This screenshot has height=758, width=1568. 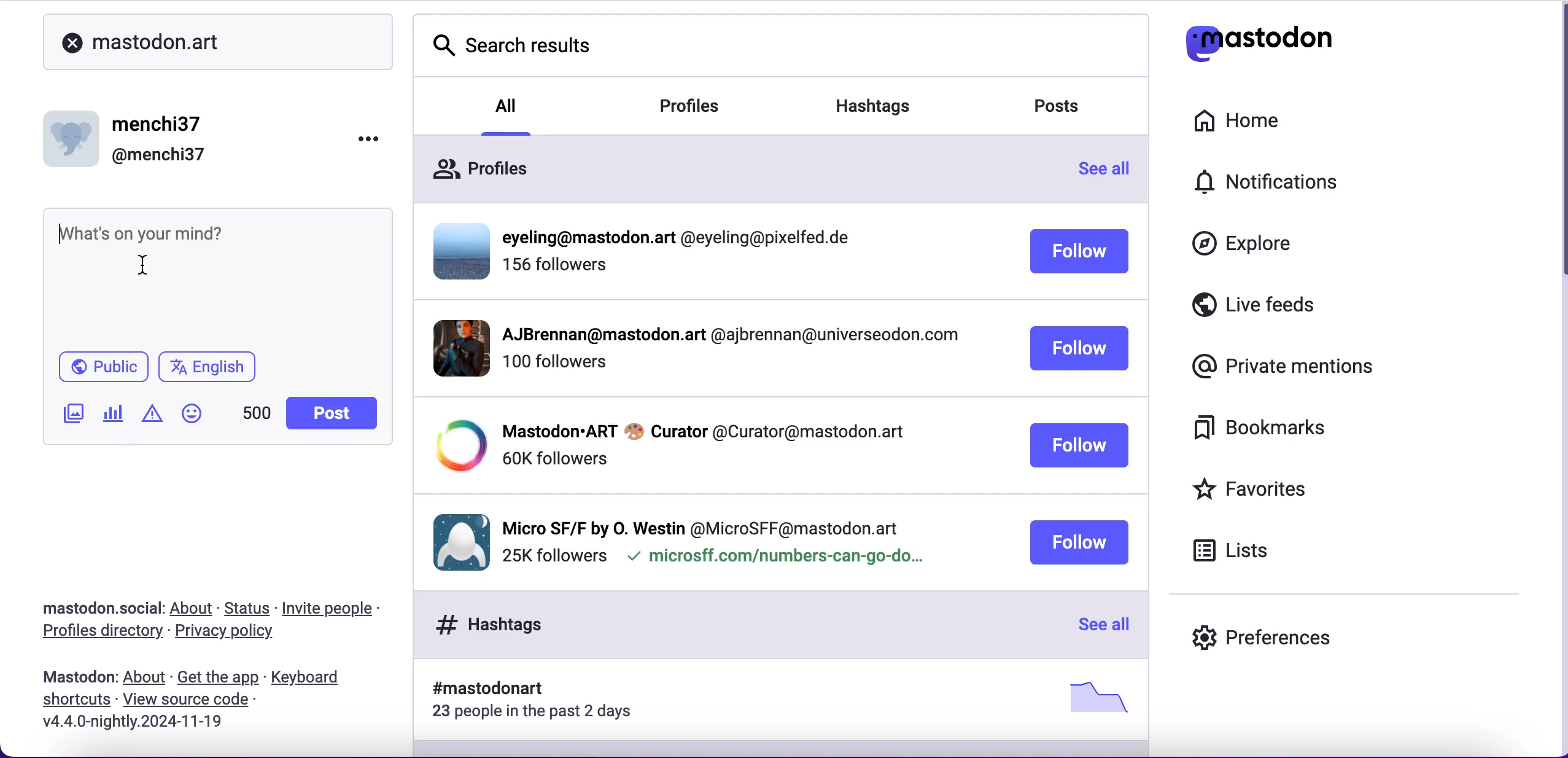 I want to click on favorites, so click(x=1282, y=488).